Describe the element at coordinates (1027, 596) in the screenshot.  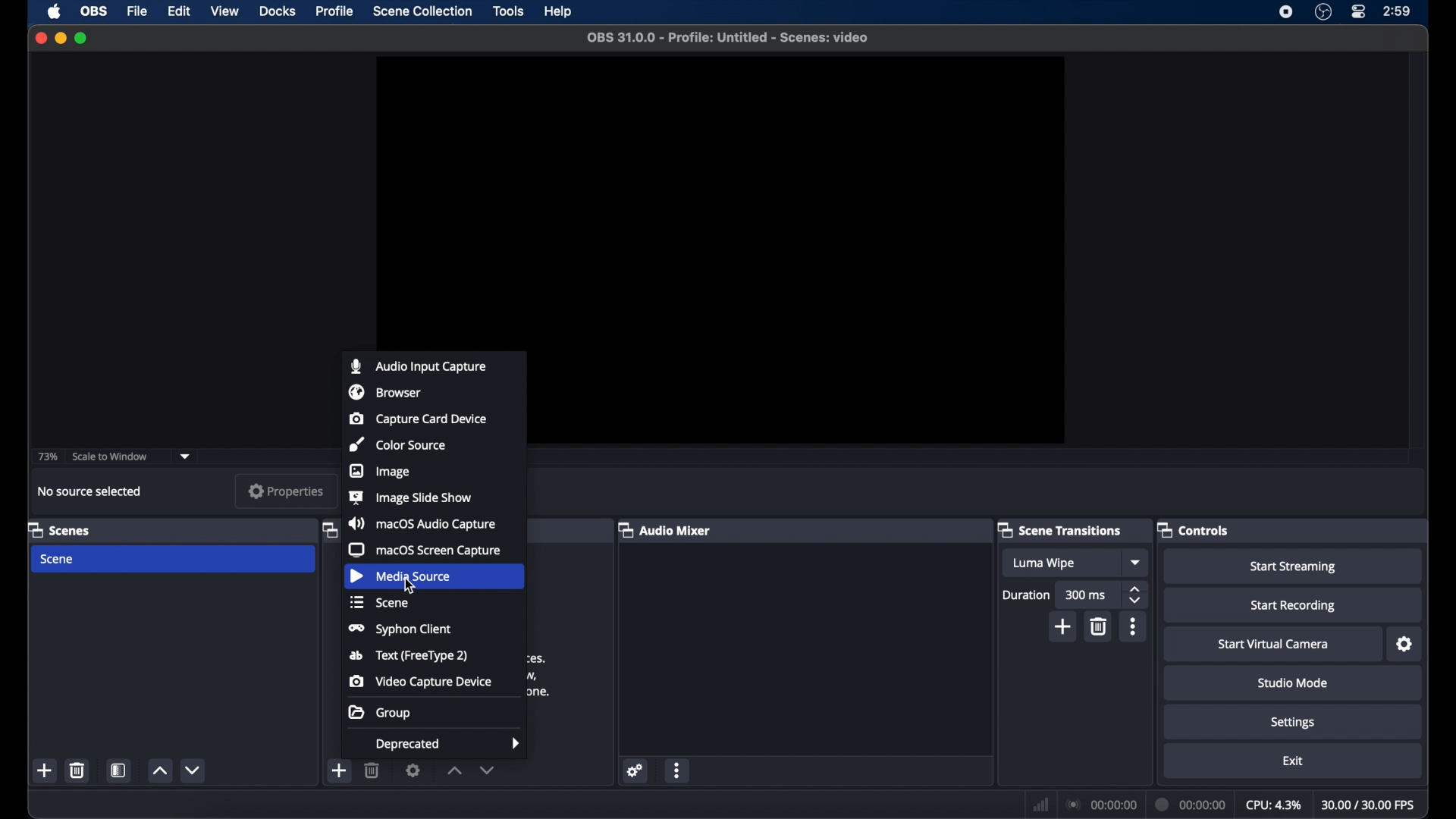
I see `duration` at that location.